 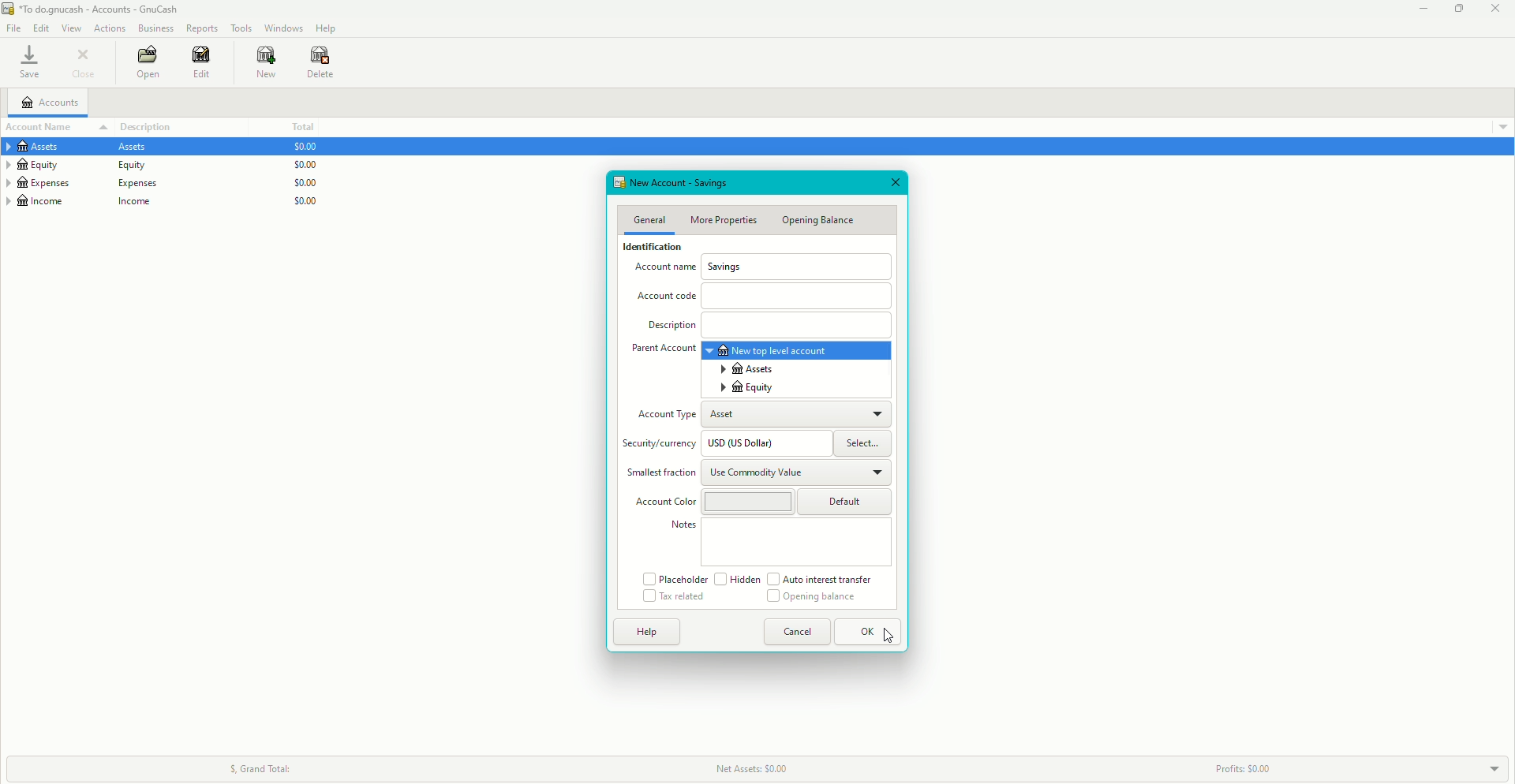 What do you see at coordinates (93, 10) in the screenshot?
I see `GnuCash` at bounding box center [93, 10].